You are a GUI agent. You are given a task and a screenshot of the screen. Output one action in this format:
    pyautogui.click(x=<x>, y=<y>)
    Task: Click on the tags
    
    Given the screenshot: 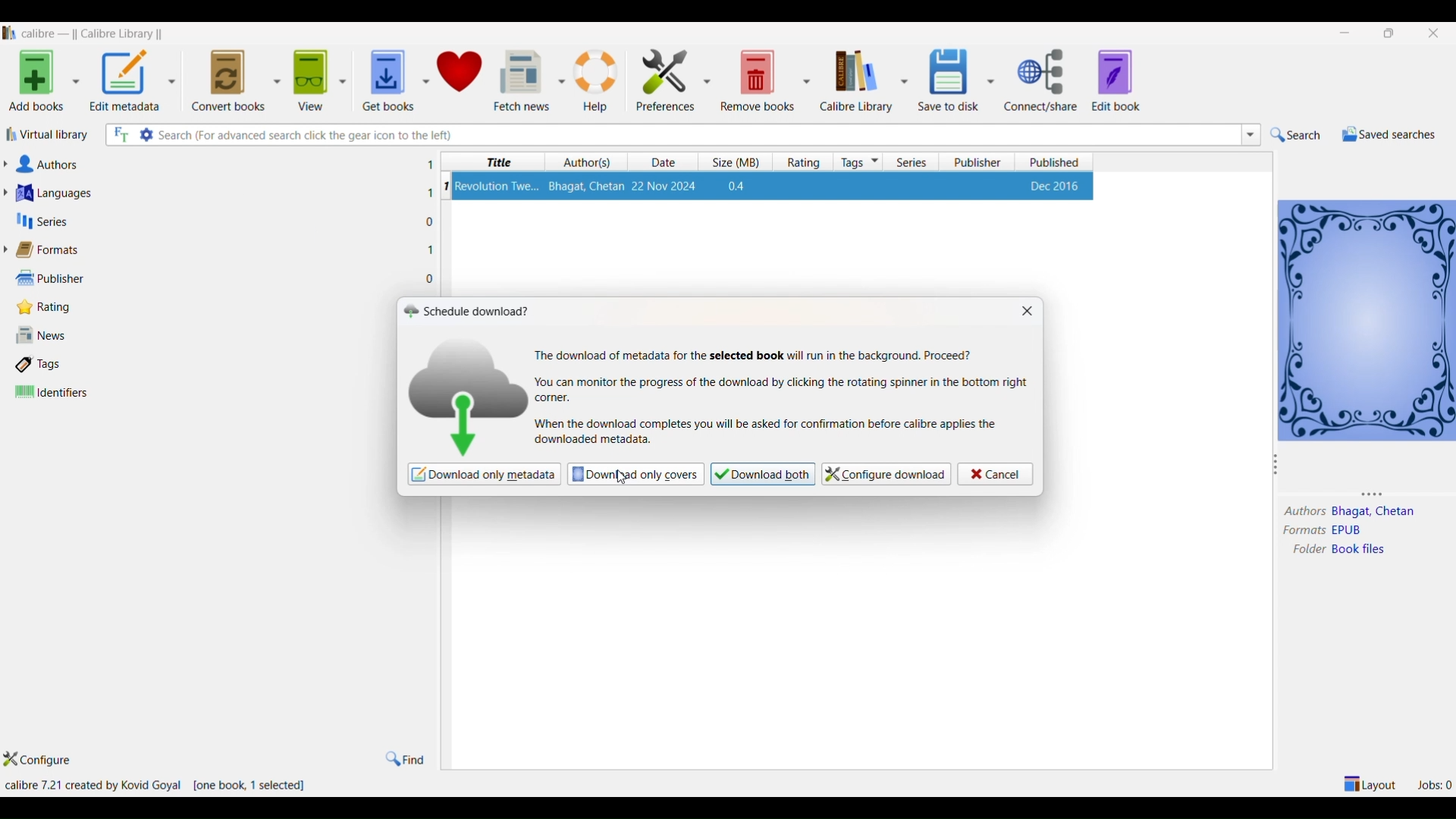 What is the action you would take?
    pyautogui.click(x=859, y=162)
    